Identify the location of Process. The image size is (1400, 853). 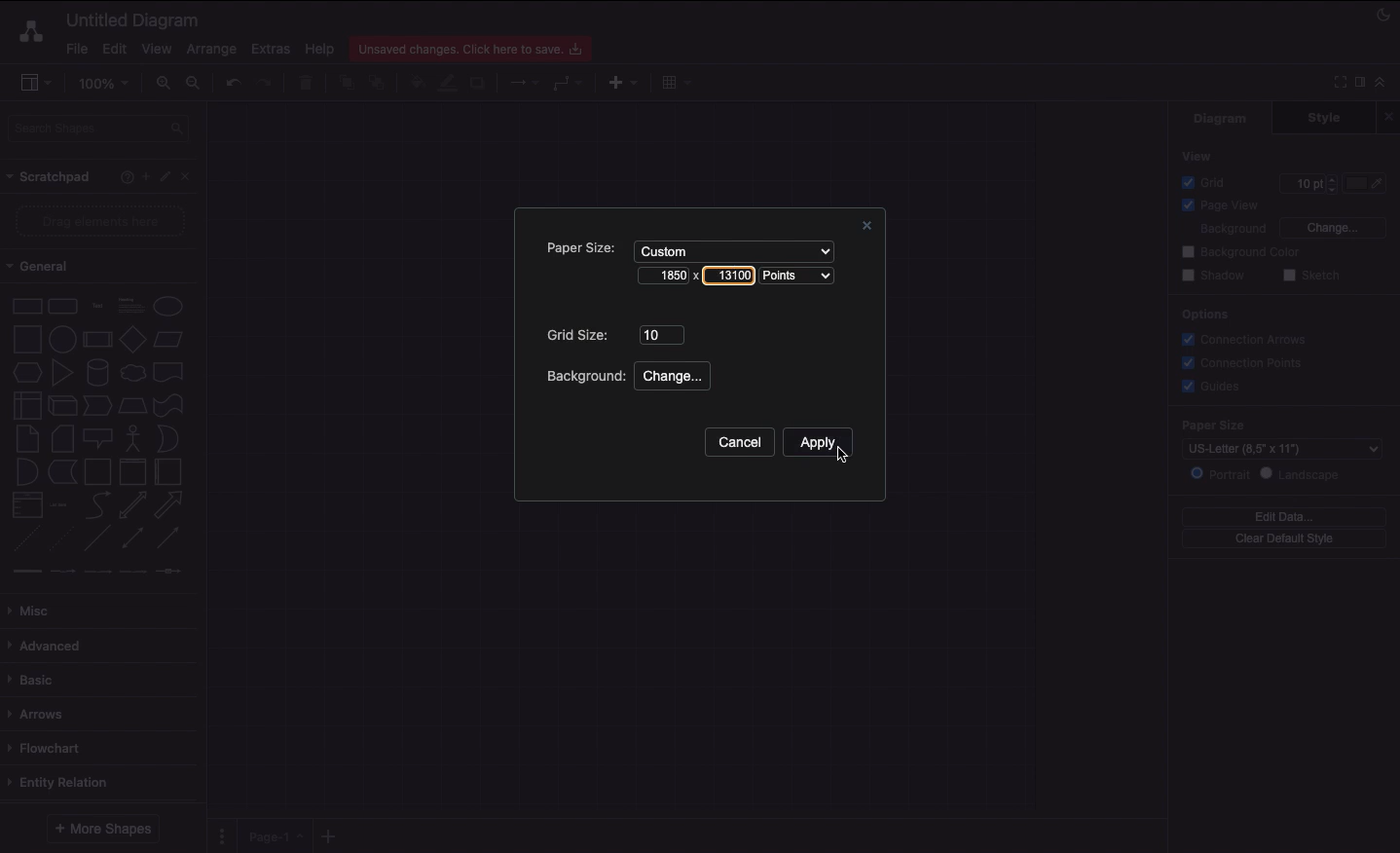
(95, 341).